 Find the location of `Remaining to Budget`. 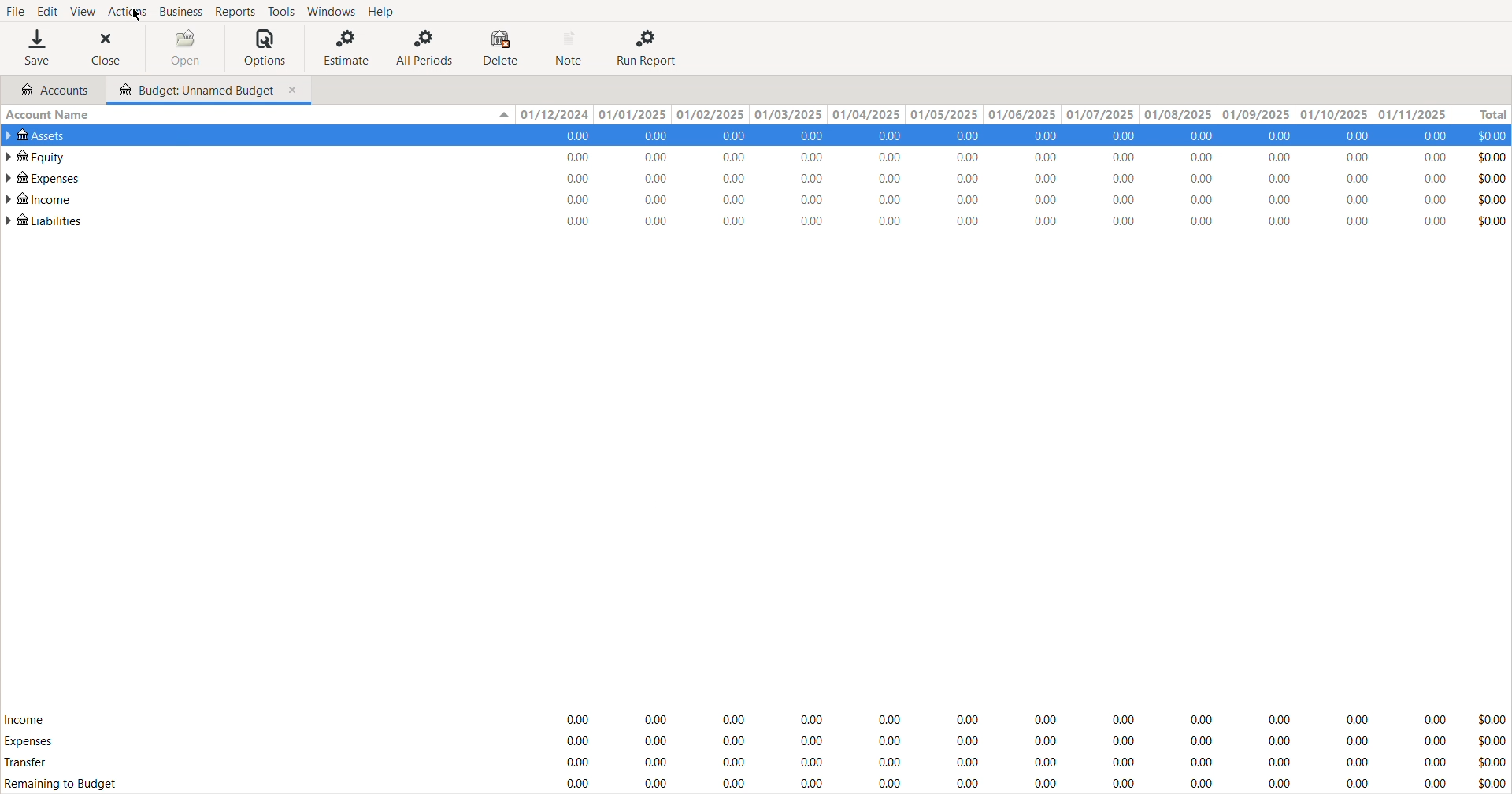

Remaining to Budget is located at coordinates (63, 785).